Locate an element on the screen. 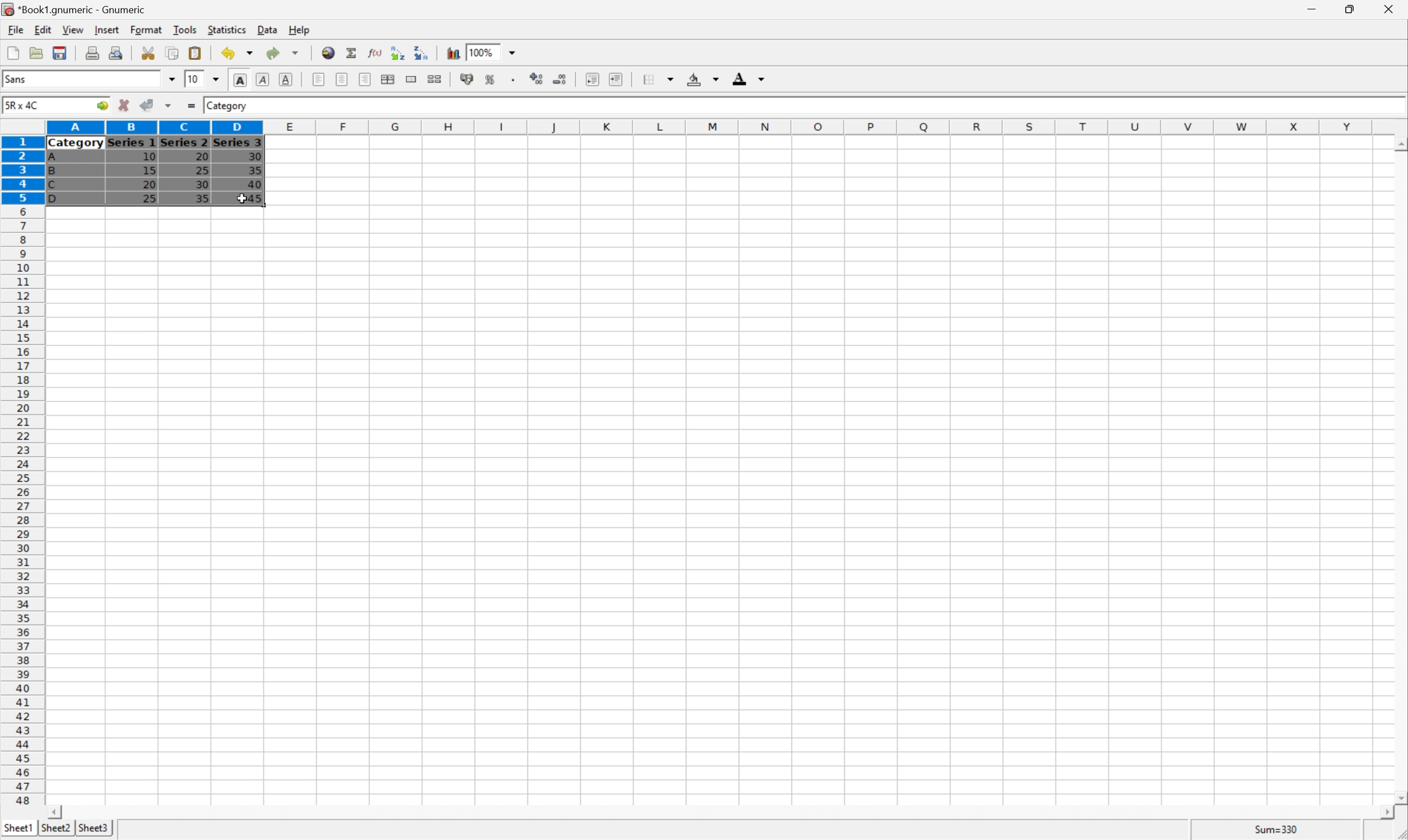  Format selection as percentage is located at coordinates (490, 80).